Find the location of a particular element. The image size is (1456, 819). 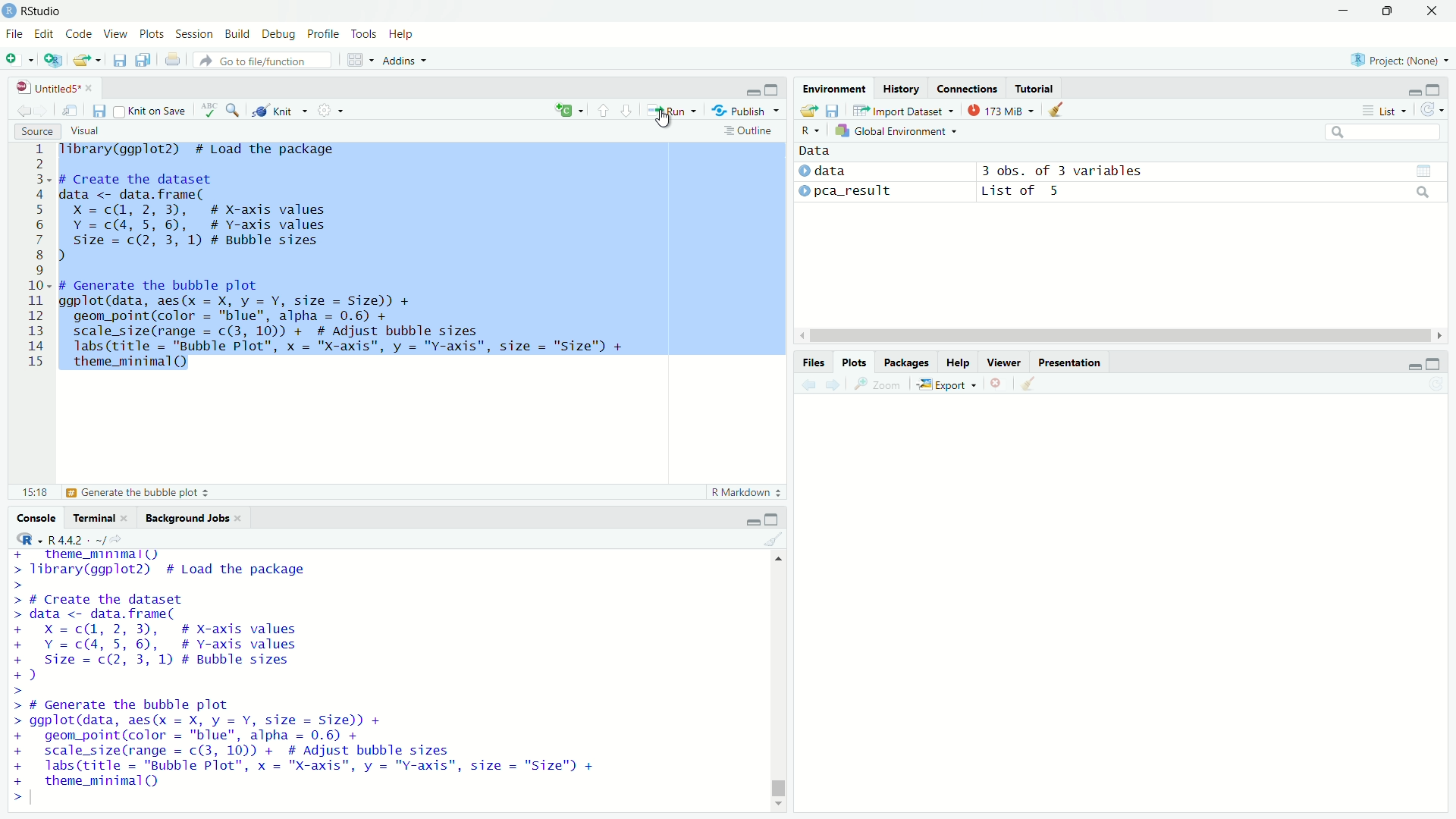

print current file is located at coordinates (173, 59).